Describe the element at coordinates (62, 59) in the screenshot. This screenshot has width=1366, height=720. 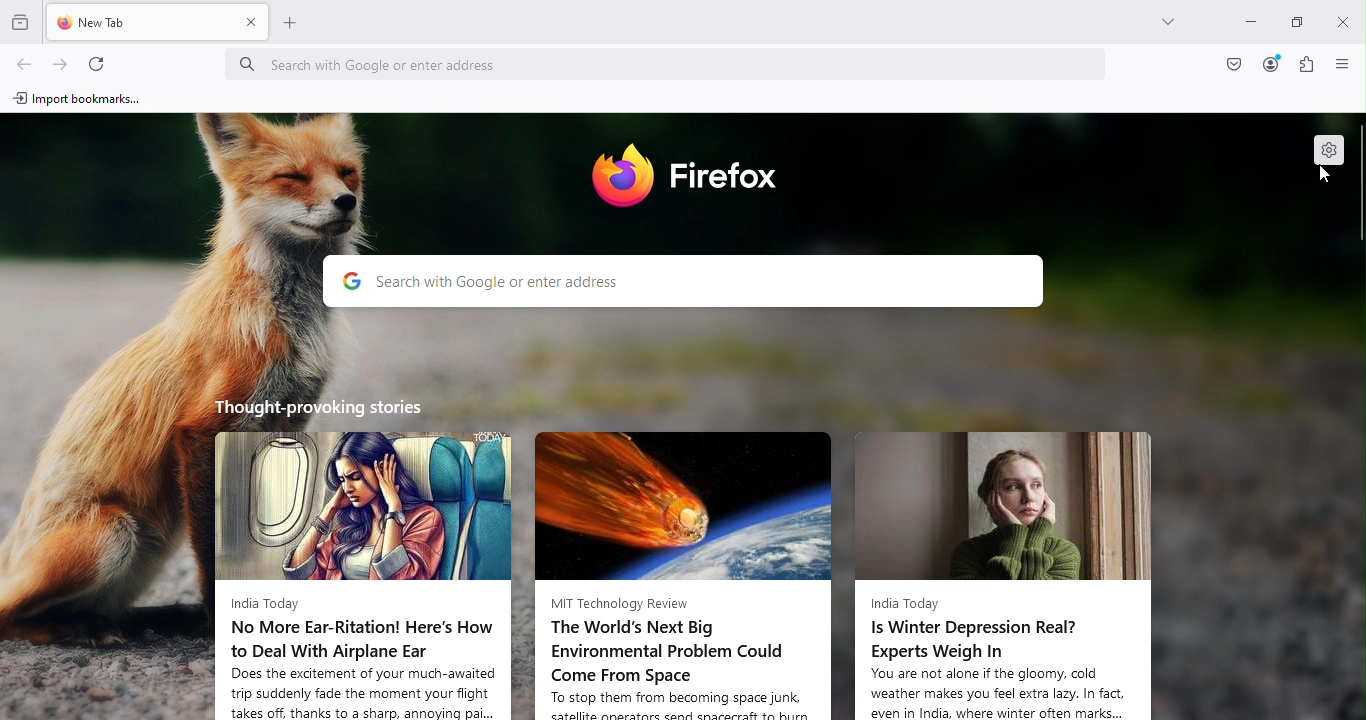
I see `Go forward one page` at that location.